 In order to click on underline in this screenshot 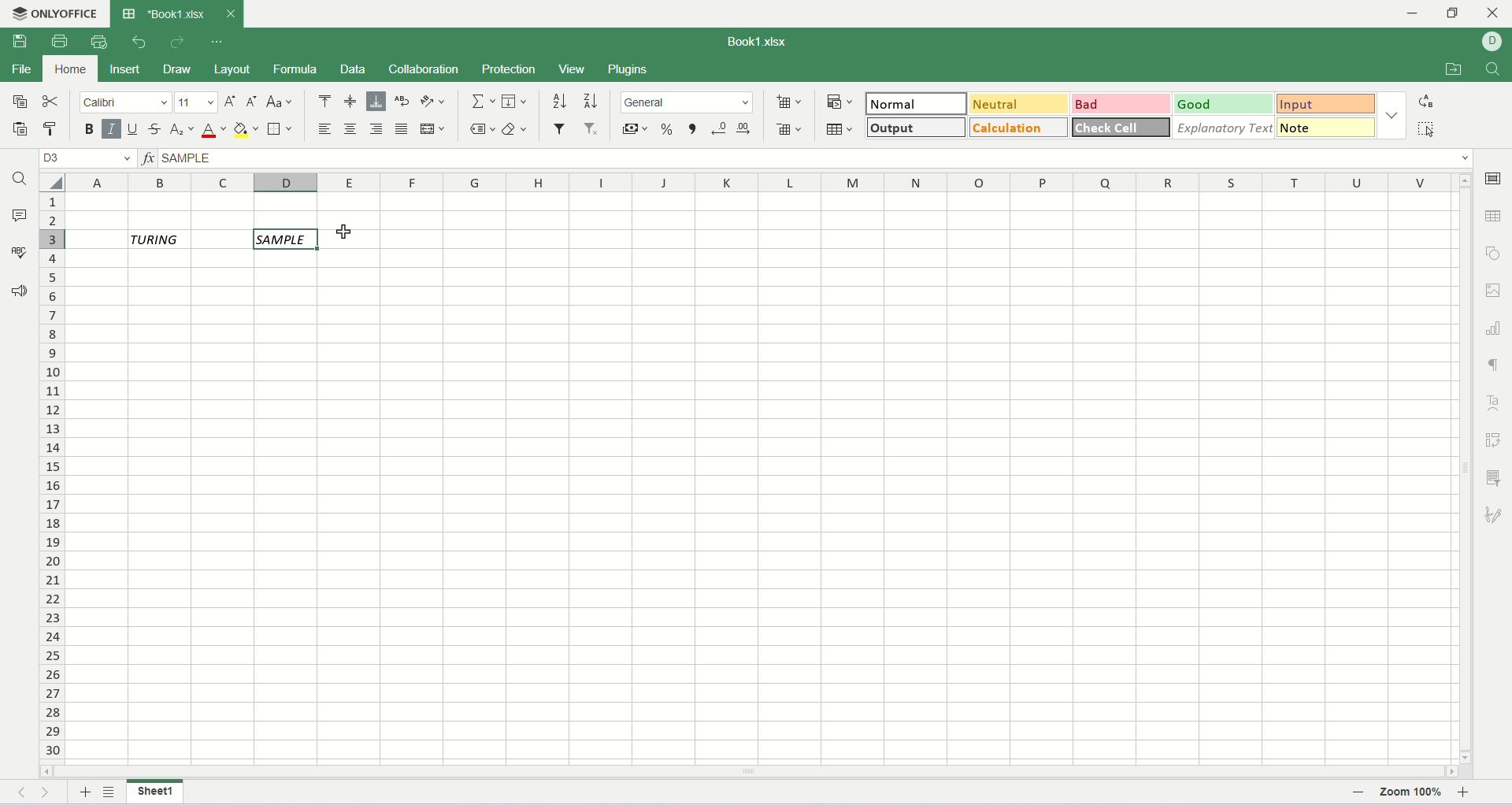, I will do `click(133, 131)`.